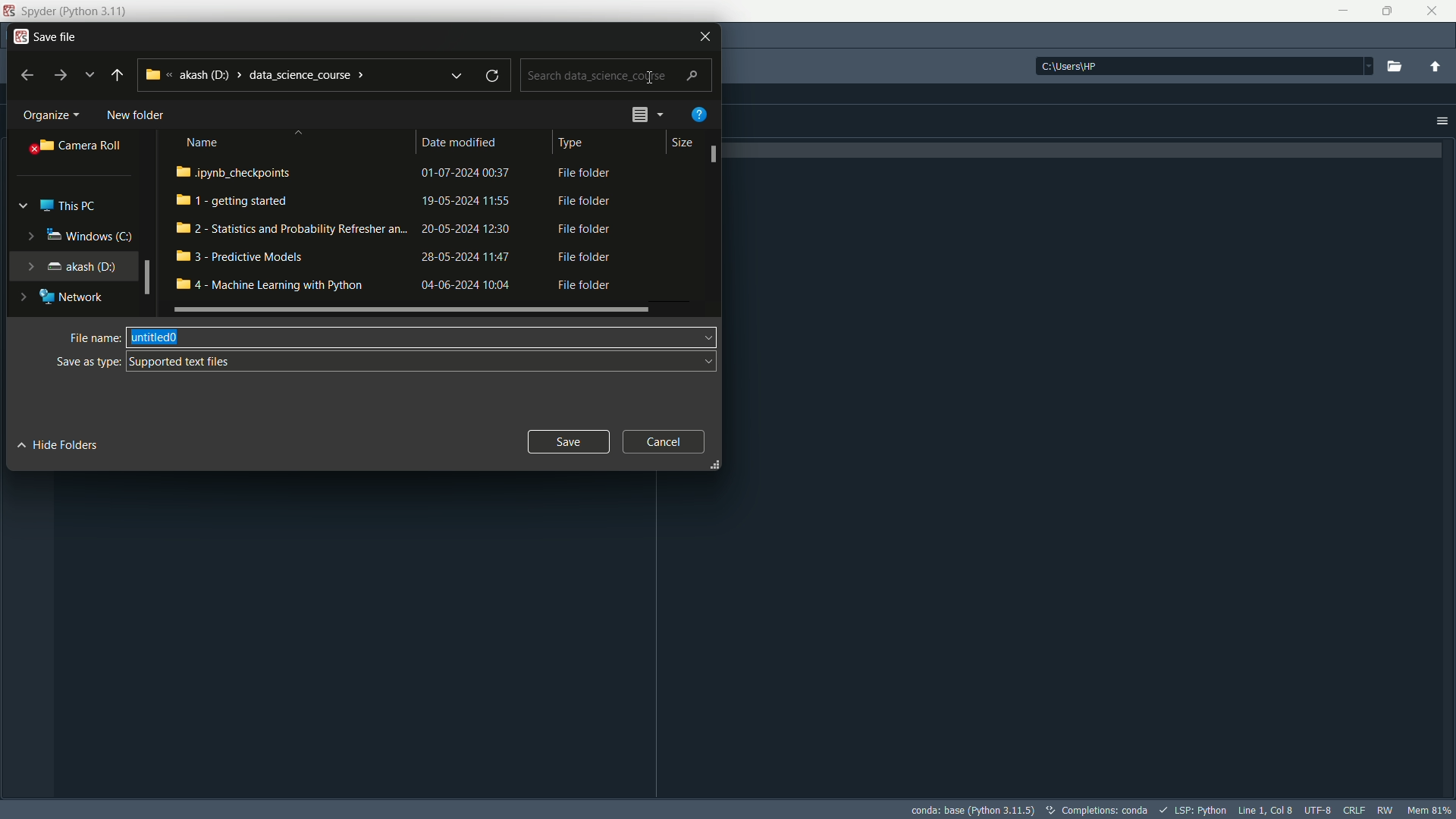  Describe the element at coordinates (1339, 11) in the screenshot. I see `minimize` at that location.